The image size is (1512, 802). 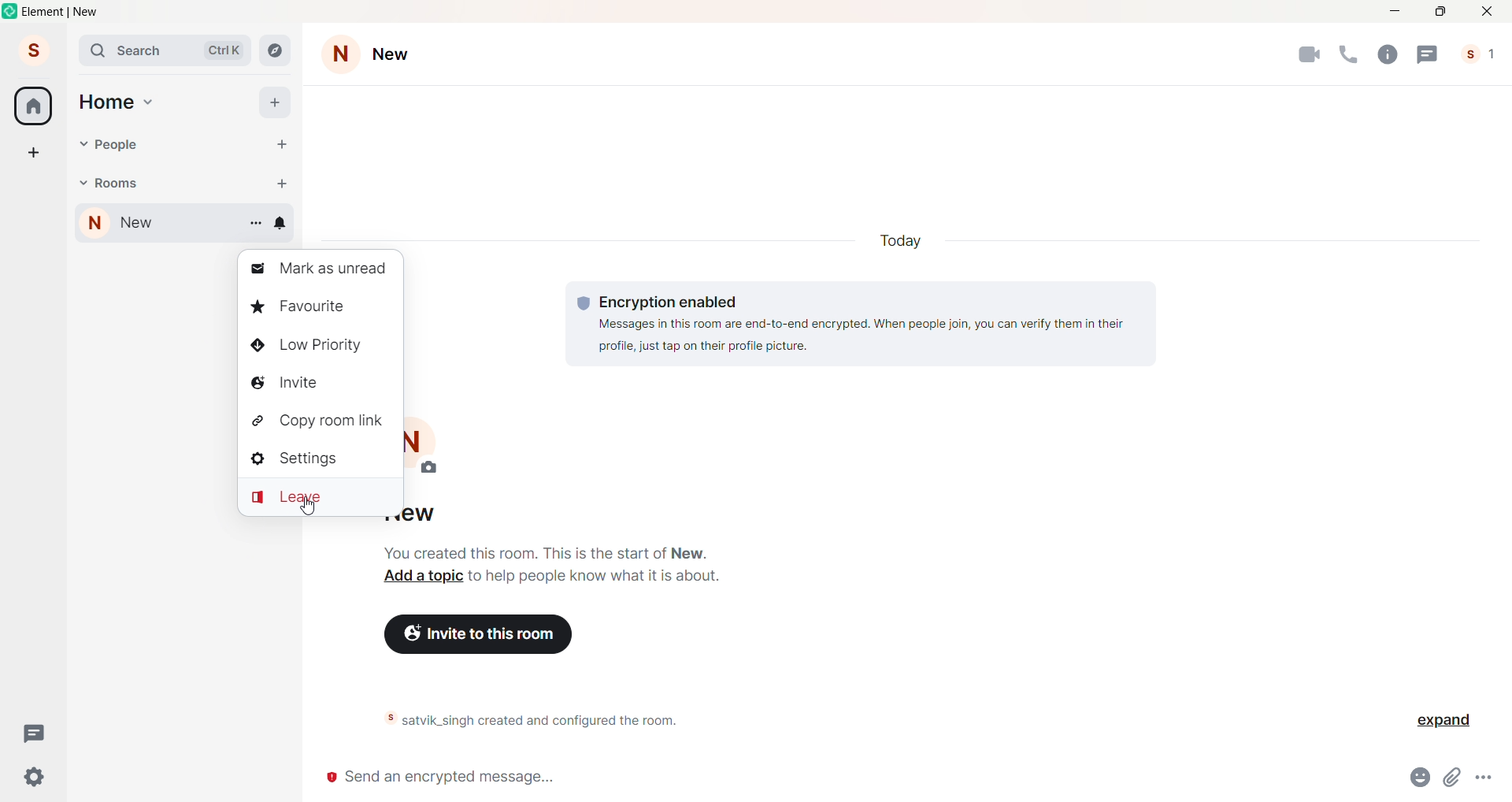 I want to click on Close, so click(x=1485, y=12).